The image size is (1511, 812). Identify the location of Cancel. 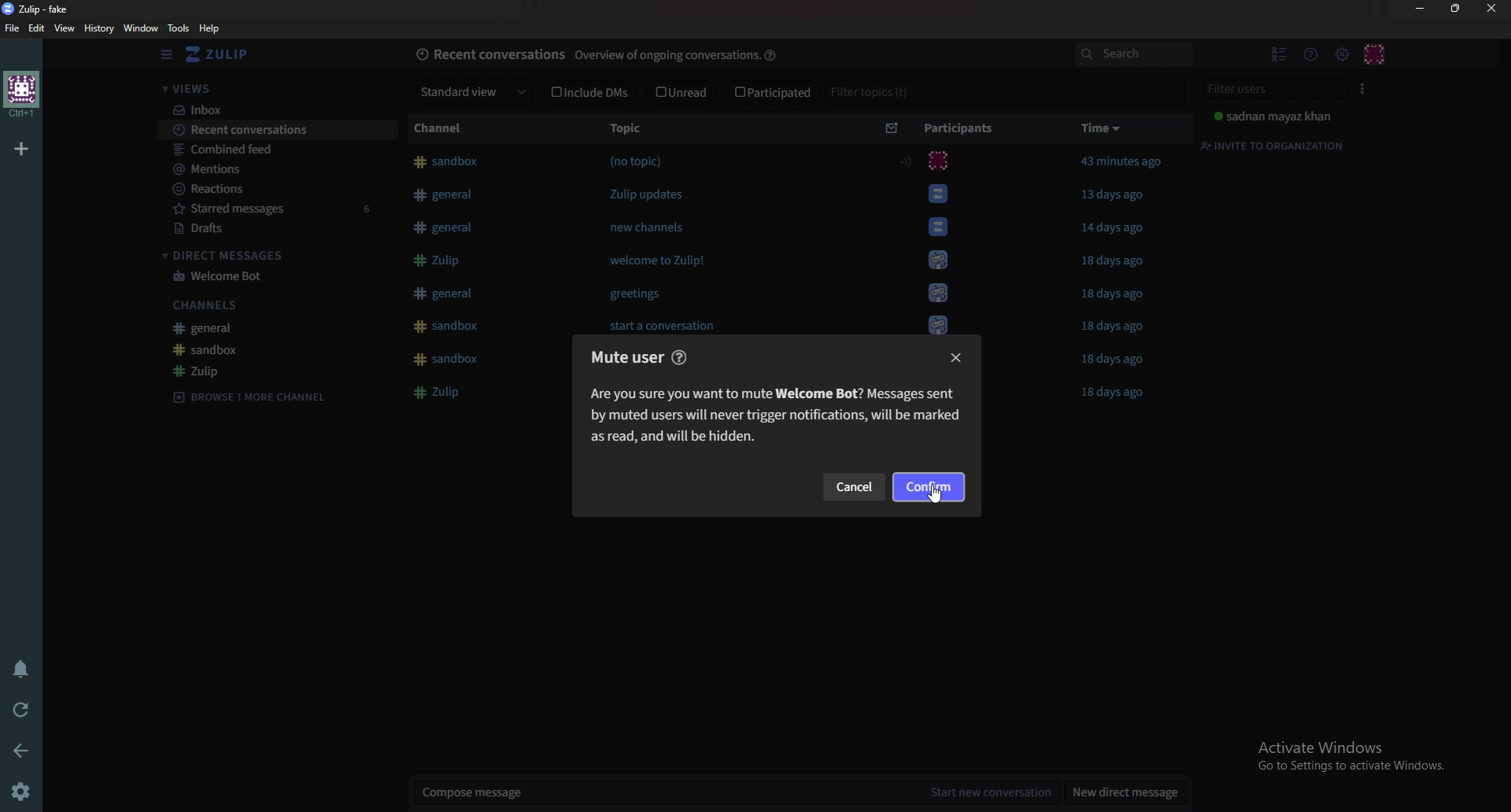
(853, 488).